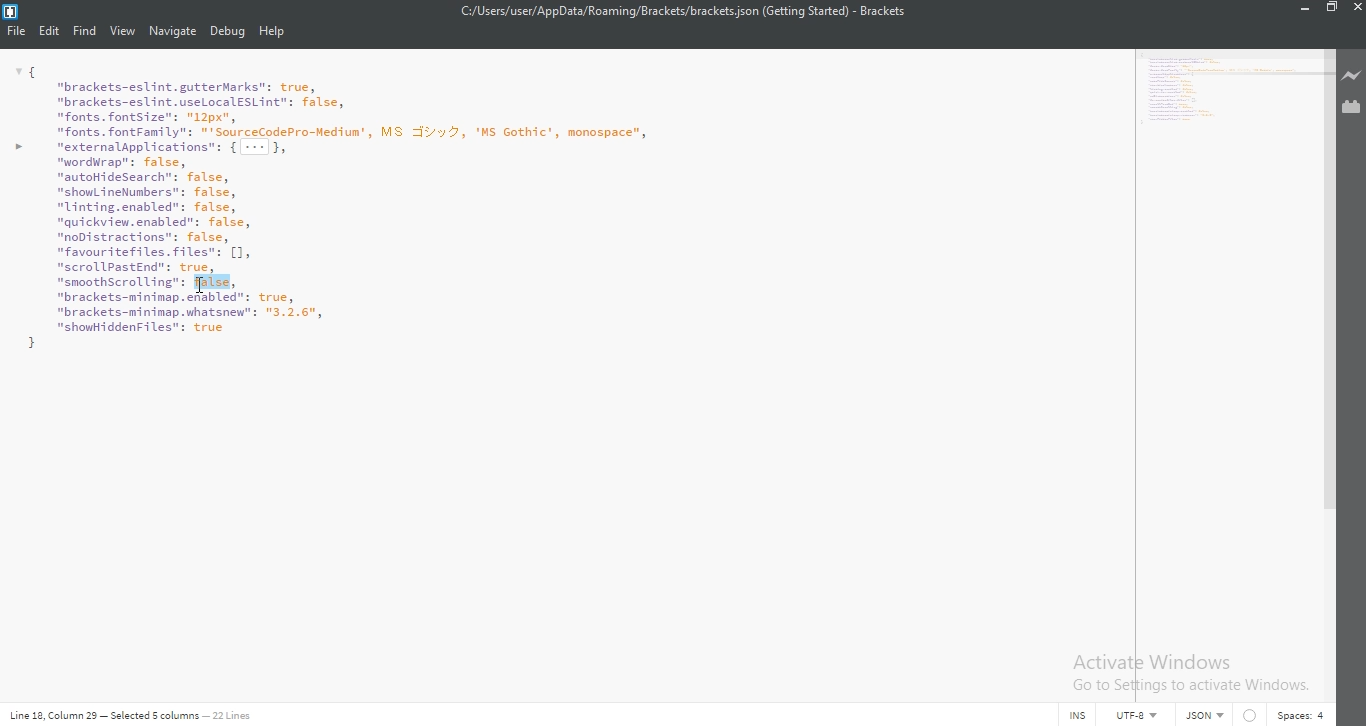 This screenshot has height=726, width=1366. What do you see at coordinates (14, 32) in the screenshot?
I see `File` at bounding box center [14, 32].